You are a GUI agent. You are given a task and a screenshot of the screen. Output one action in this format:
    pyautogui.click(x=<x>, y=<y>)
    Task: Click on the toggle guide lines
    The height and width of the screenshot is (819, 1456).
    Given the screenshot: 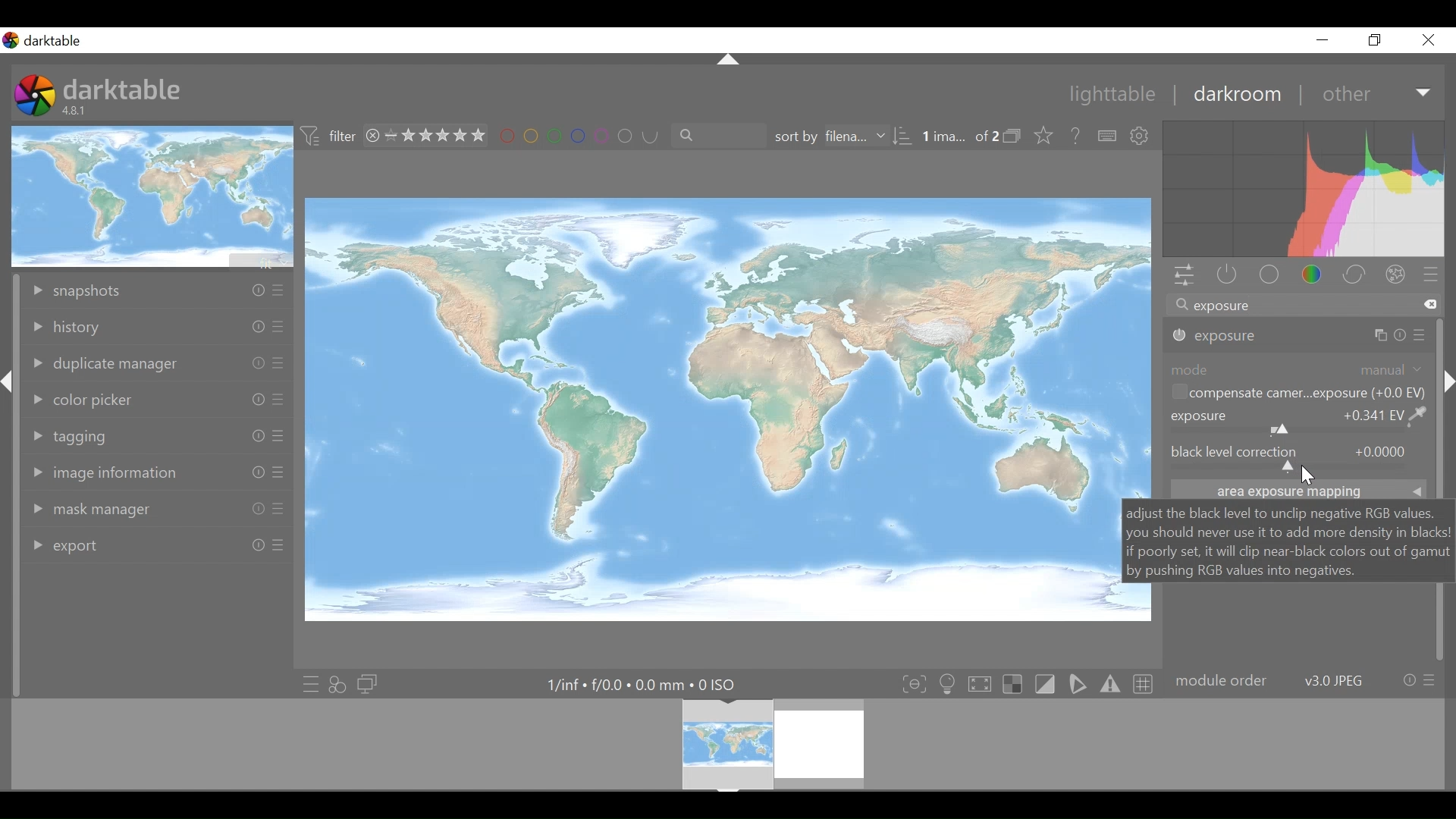 What is the action you would take?
    pyautogui.click(x=1141, y=684)
    